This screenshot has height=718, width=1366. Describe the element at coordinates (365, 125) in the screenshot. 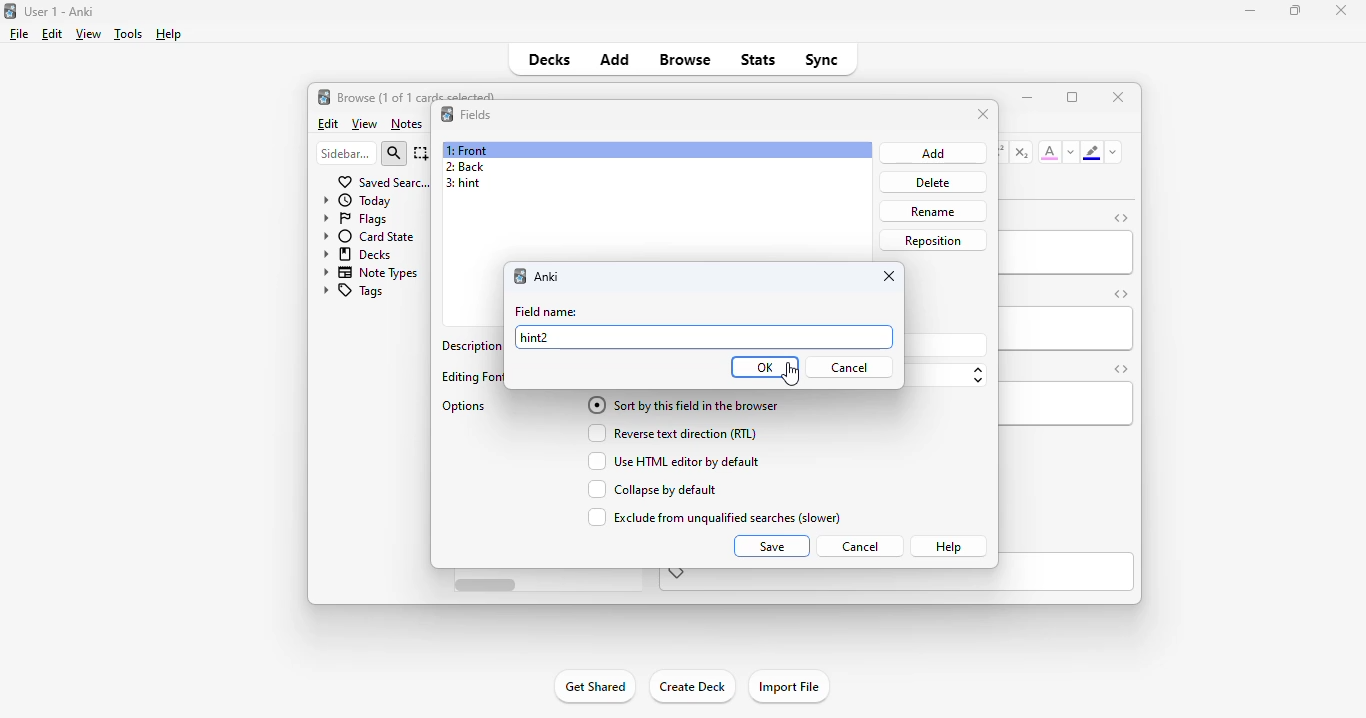

I see `view` at that location.